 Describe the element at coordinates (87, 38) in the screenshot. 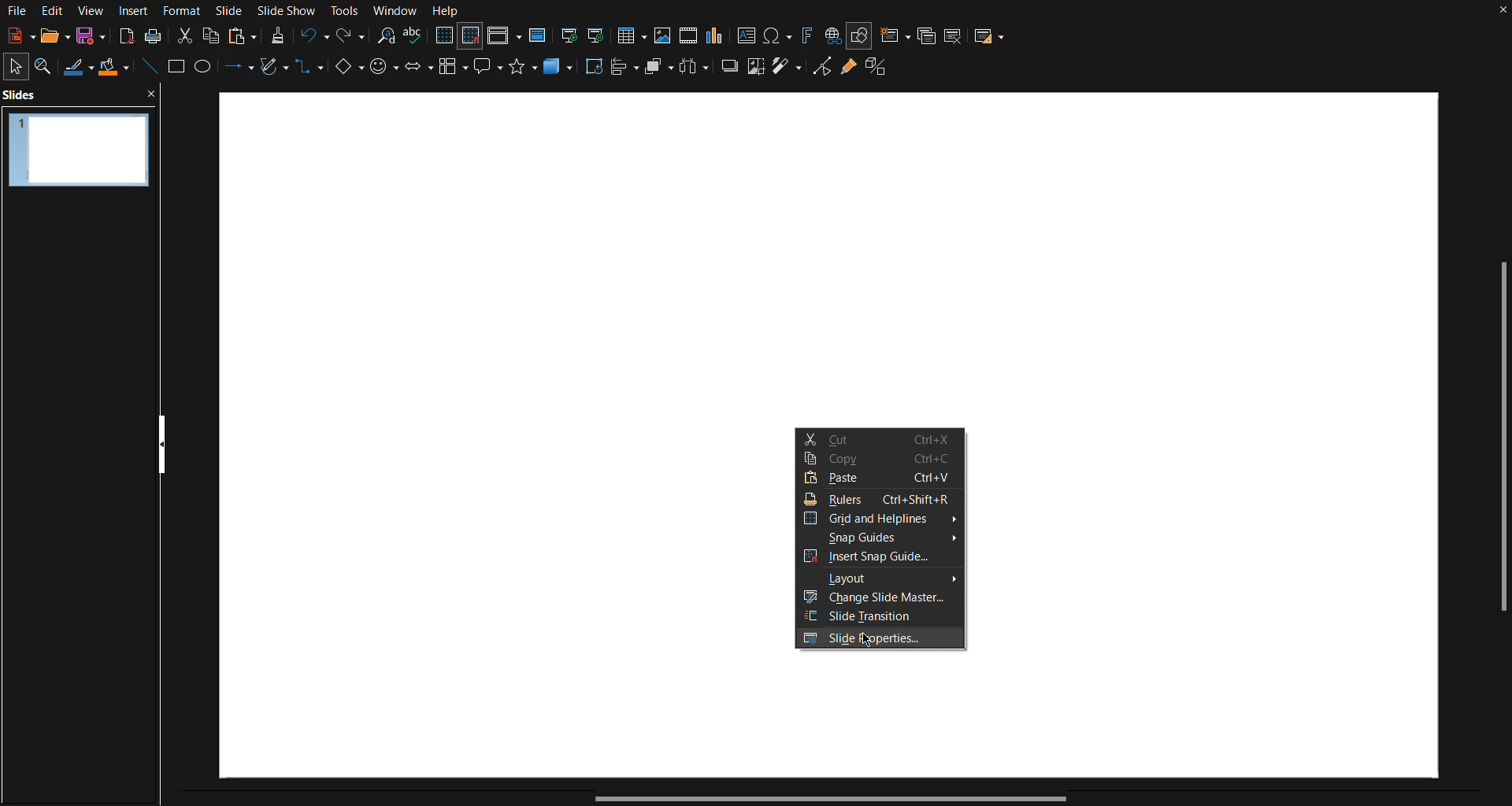

I see `Save` at that location.